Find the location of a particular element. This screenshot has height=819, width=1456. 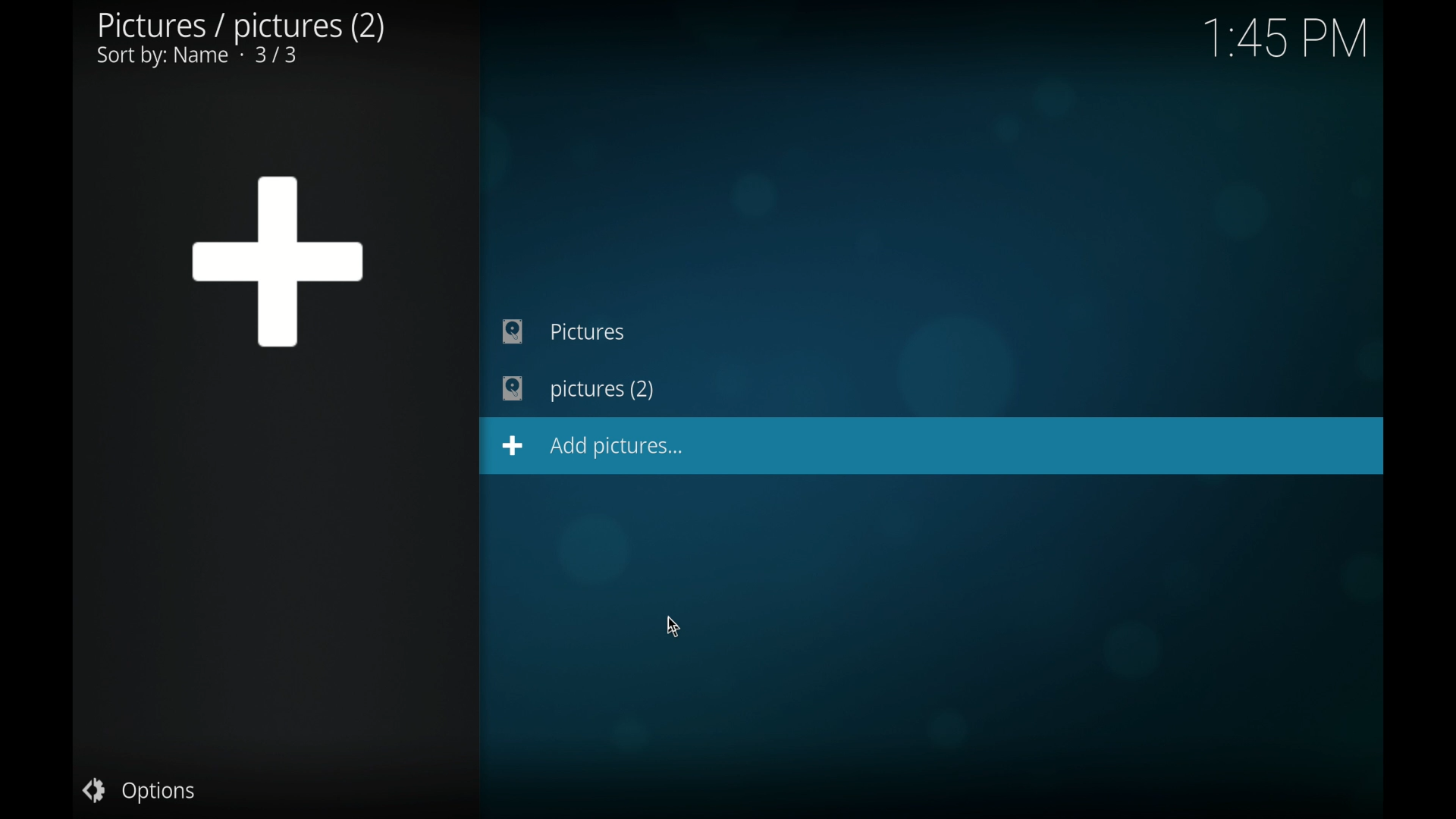

pictures is located at coordinates (566, 331).